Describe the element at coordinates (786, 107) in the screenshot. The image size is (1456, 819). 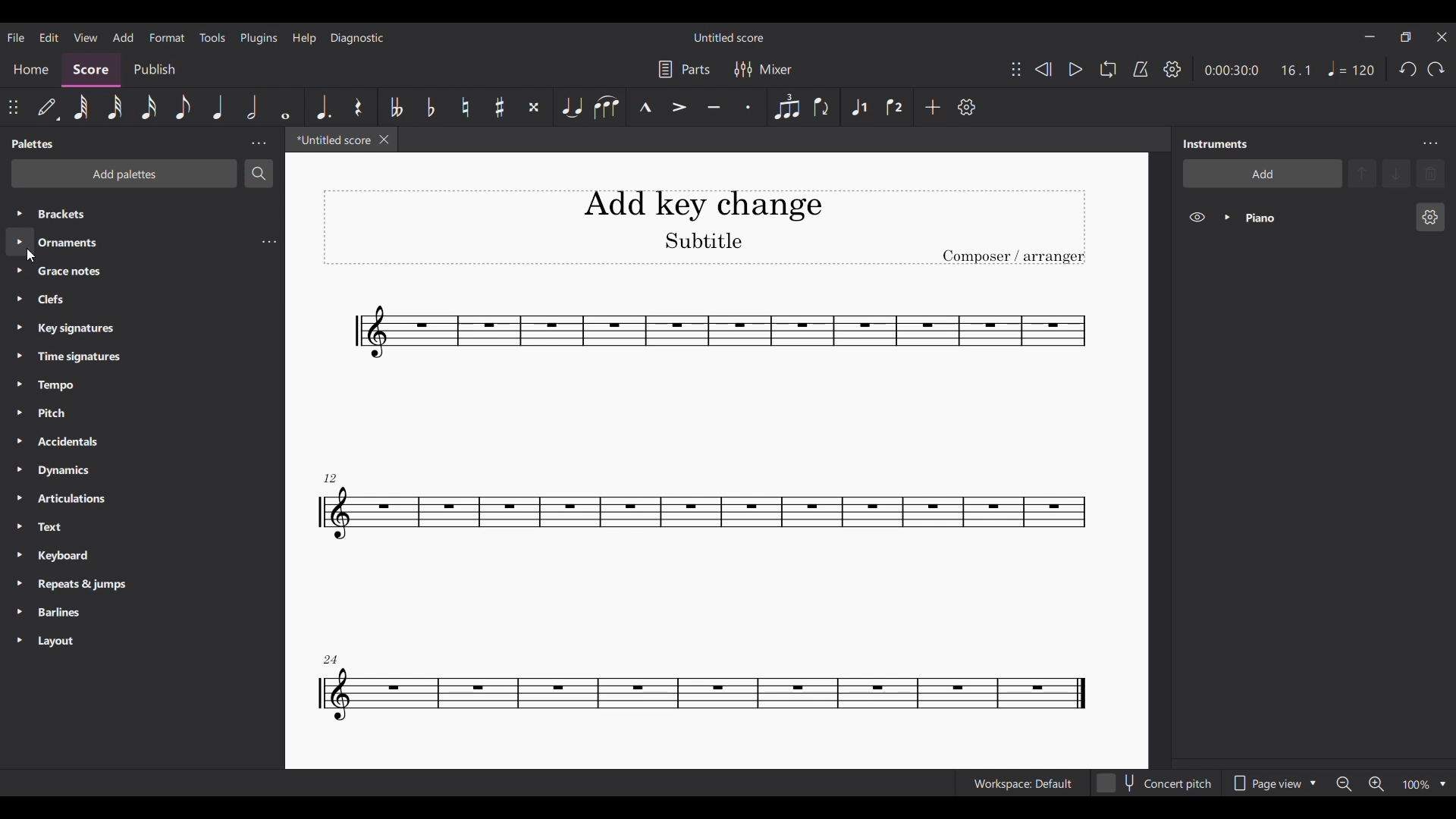
I see `Tuplet` at that location.